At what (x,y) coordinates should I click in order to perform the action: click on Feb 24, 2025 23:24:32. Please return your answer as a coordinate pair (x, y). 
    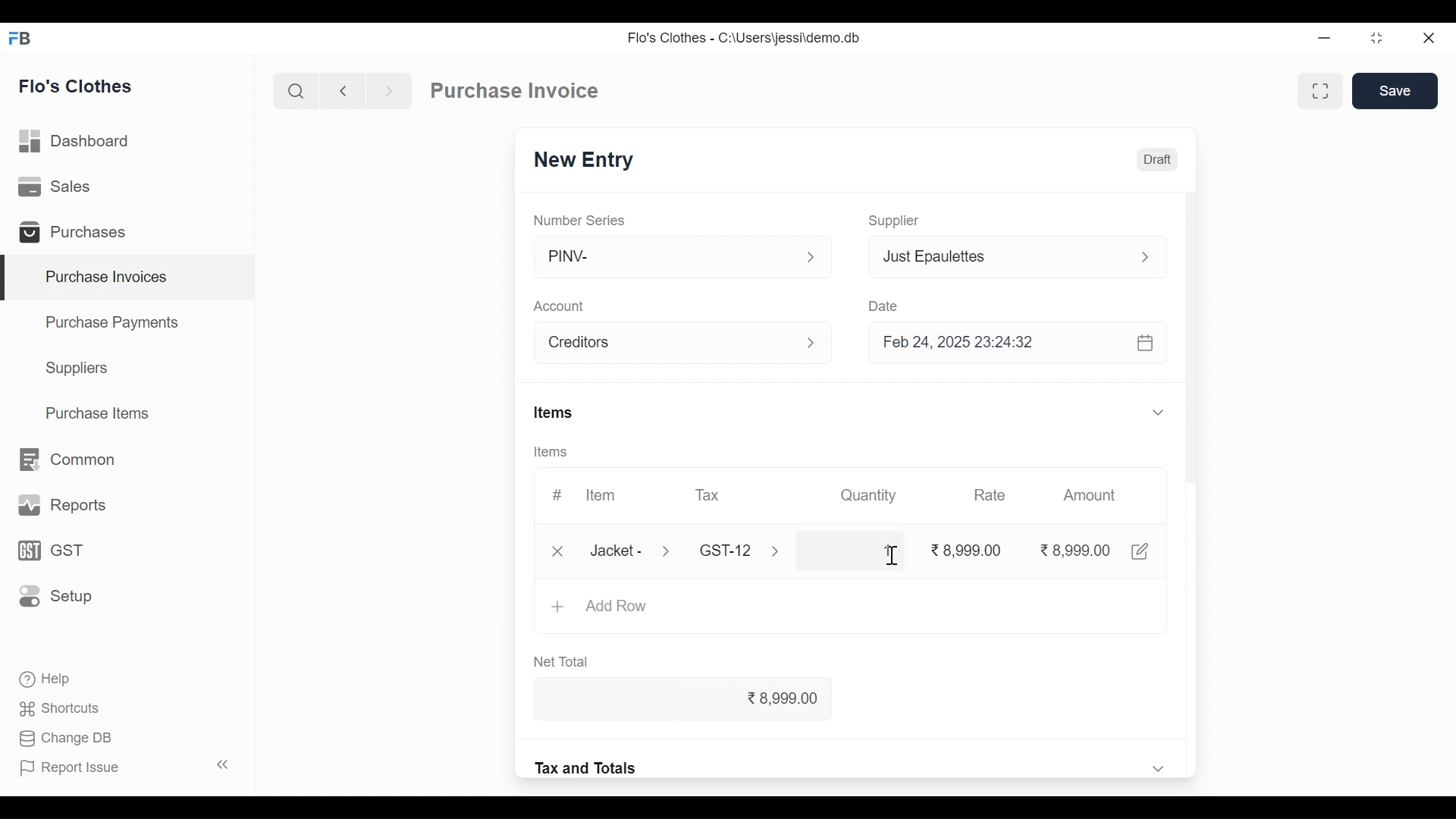
    Looking at the image, I should click on (1020, 344).